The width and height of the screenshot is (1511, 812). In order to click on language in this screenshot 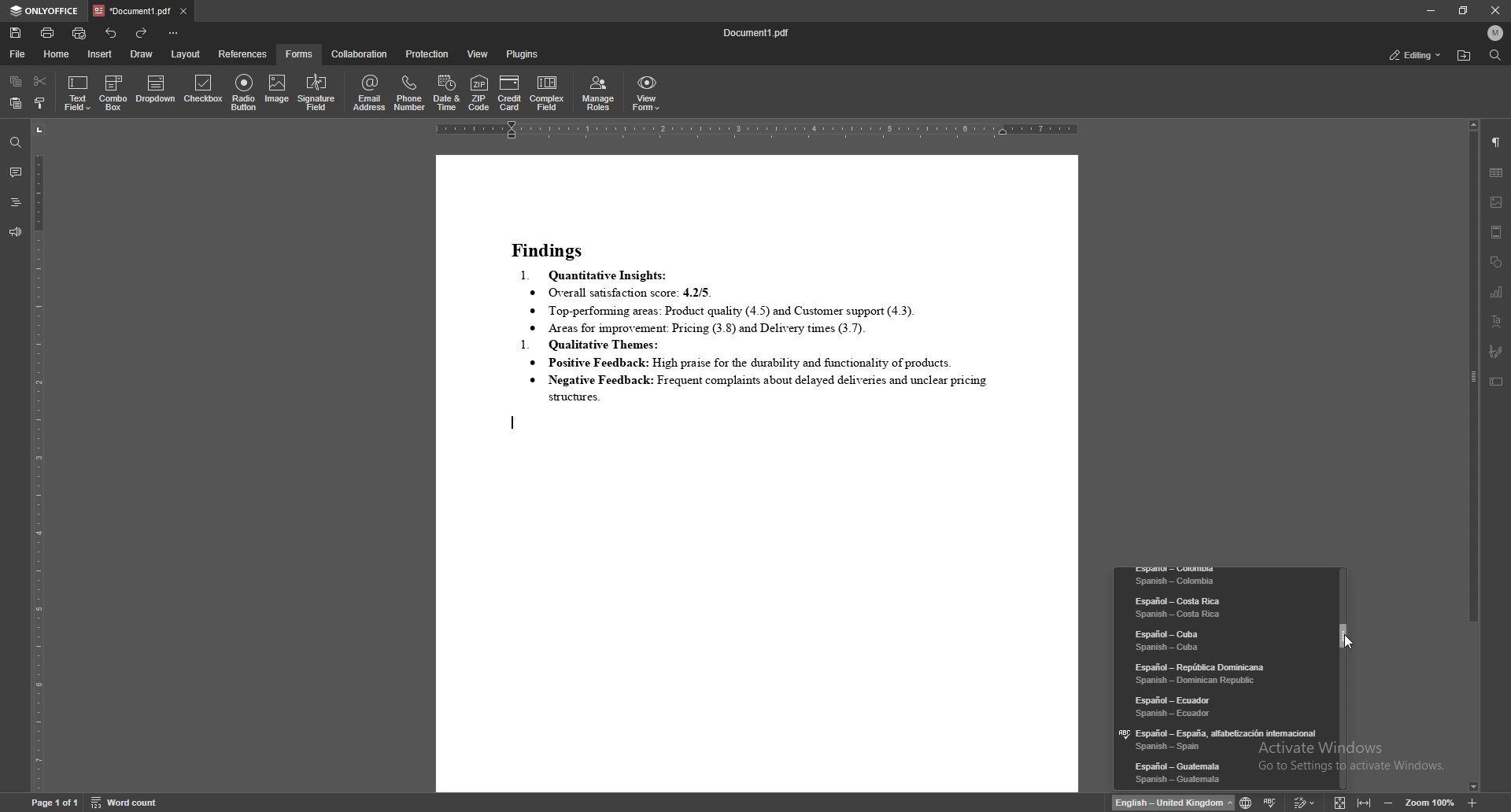, I will do `click(1223, 739)`.